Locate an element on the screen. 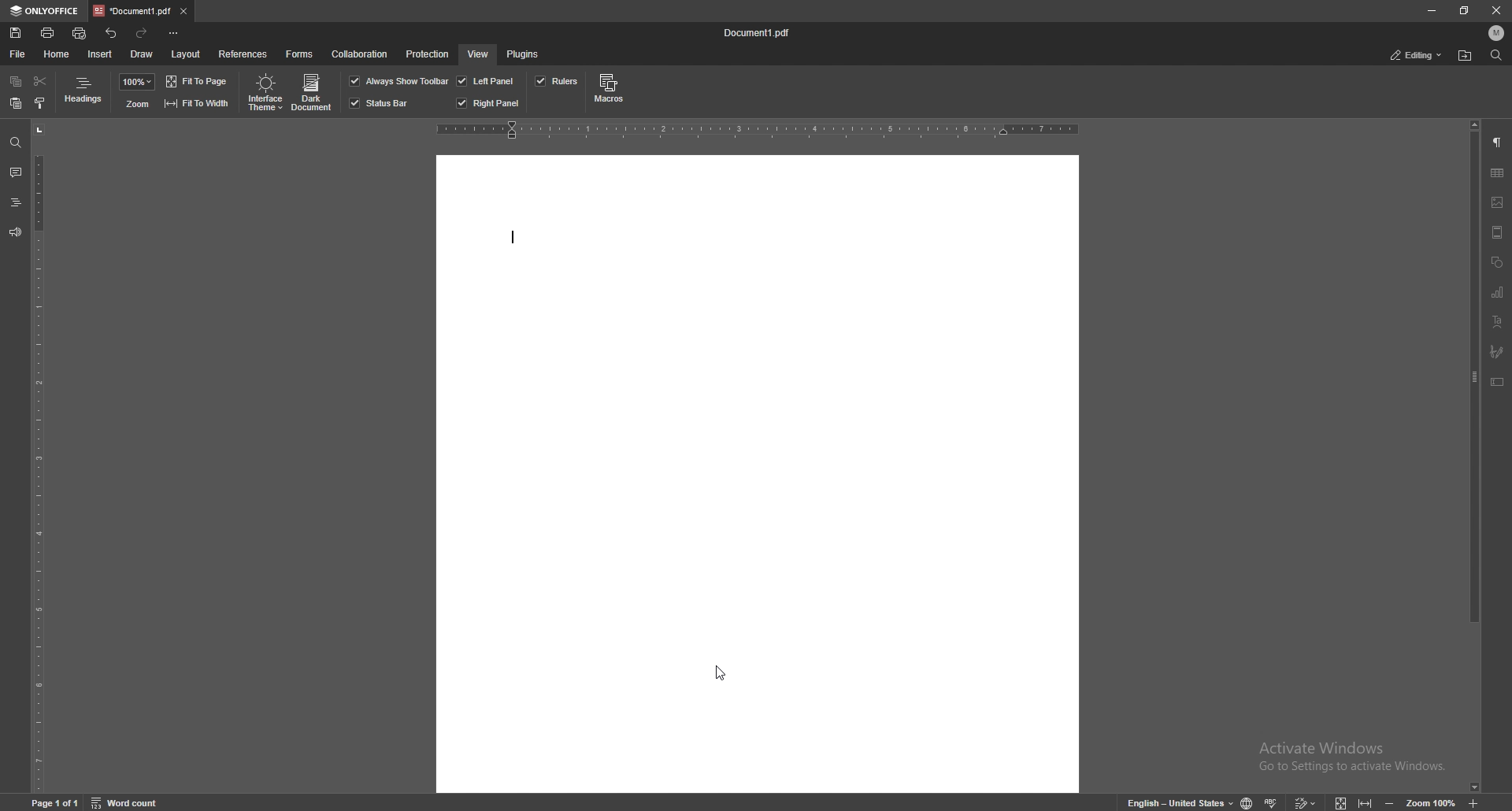 The height and width of the screenshot is (811, 1512). copy style is located at coordinates (40, 102).